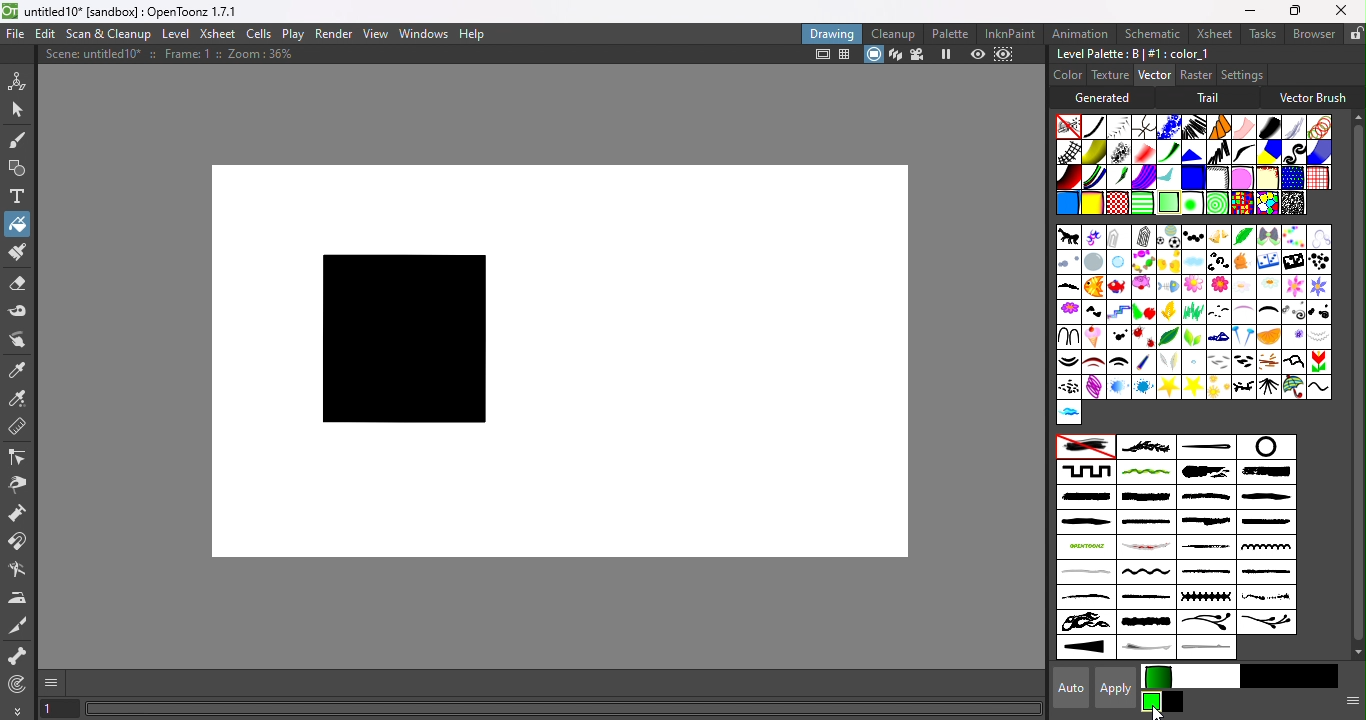 This screenshot has height=720, width=1366. I want to click on Brush, so click(1291, 236).